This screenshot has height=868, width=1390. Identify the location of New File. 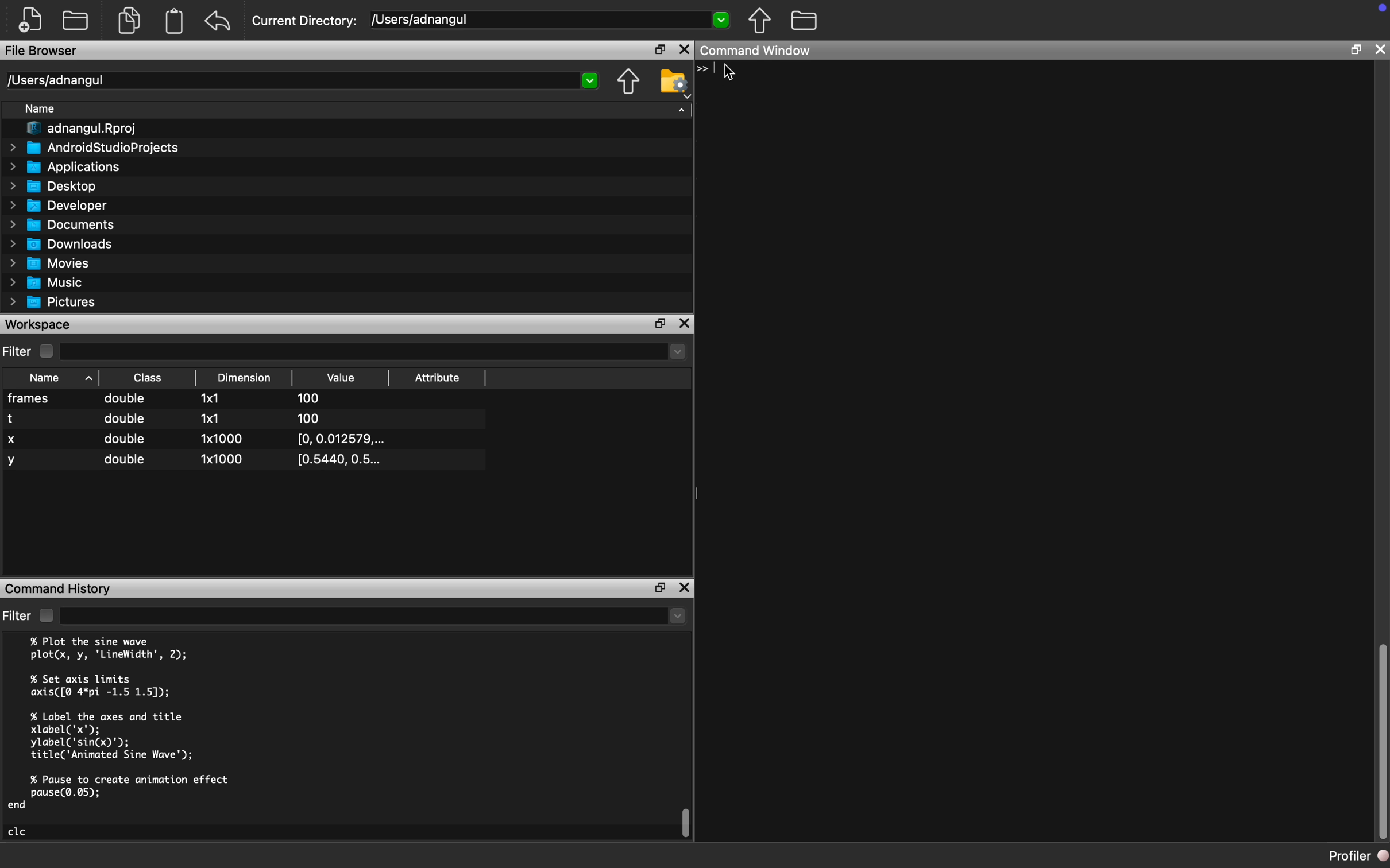
(29, 18).